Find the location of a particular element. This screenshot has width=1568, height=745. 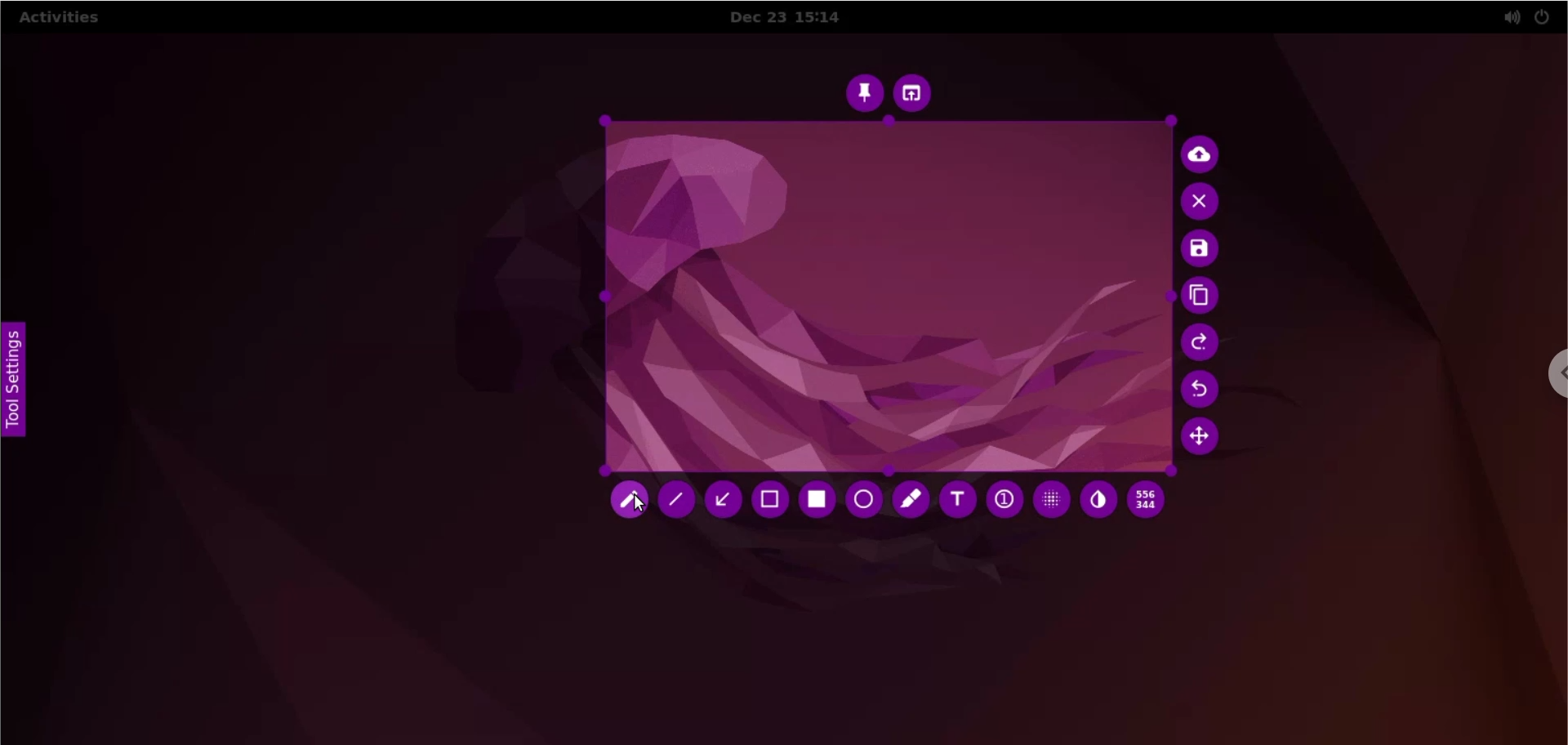

circle tool is located at coordinates (863, 499).